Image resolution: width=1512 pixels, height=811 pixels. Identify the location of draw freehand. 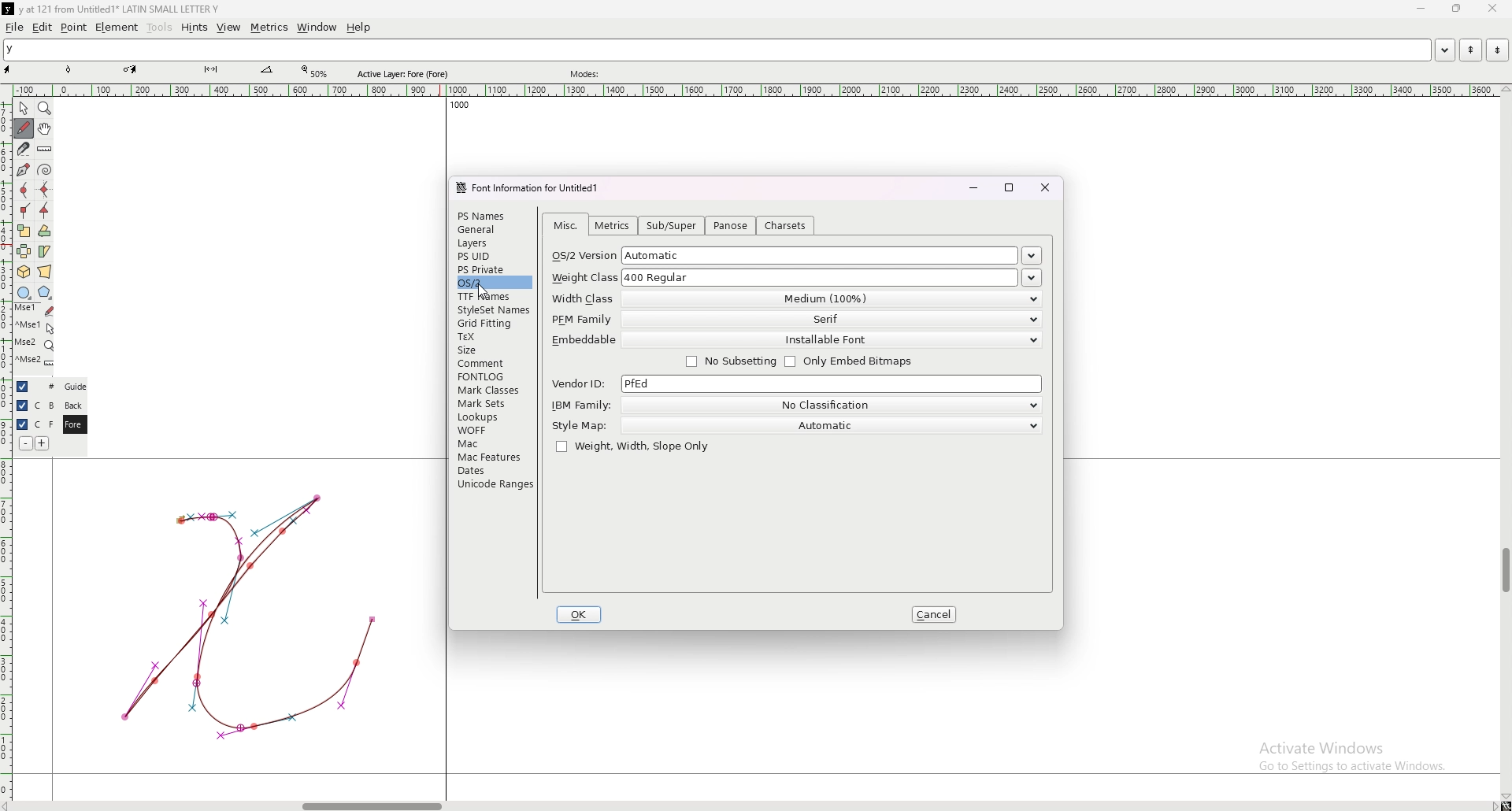
(24, 128).